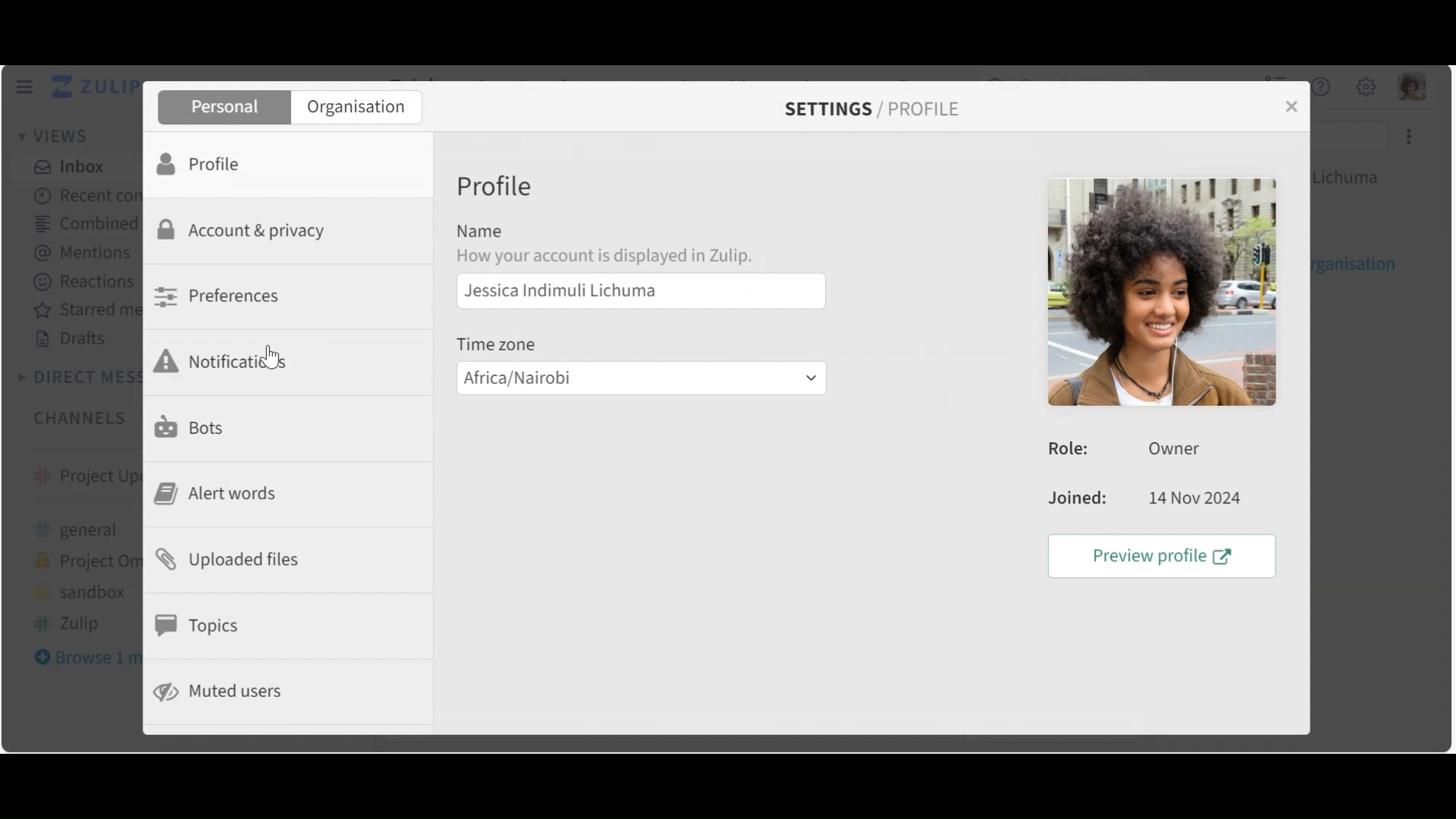 Image resolution: width=1456 pixels, height=819 pixels. Describe the element at coordinates (1166, 557) in the screenshot. I see `Preview profile` at that location.